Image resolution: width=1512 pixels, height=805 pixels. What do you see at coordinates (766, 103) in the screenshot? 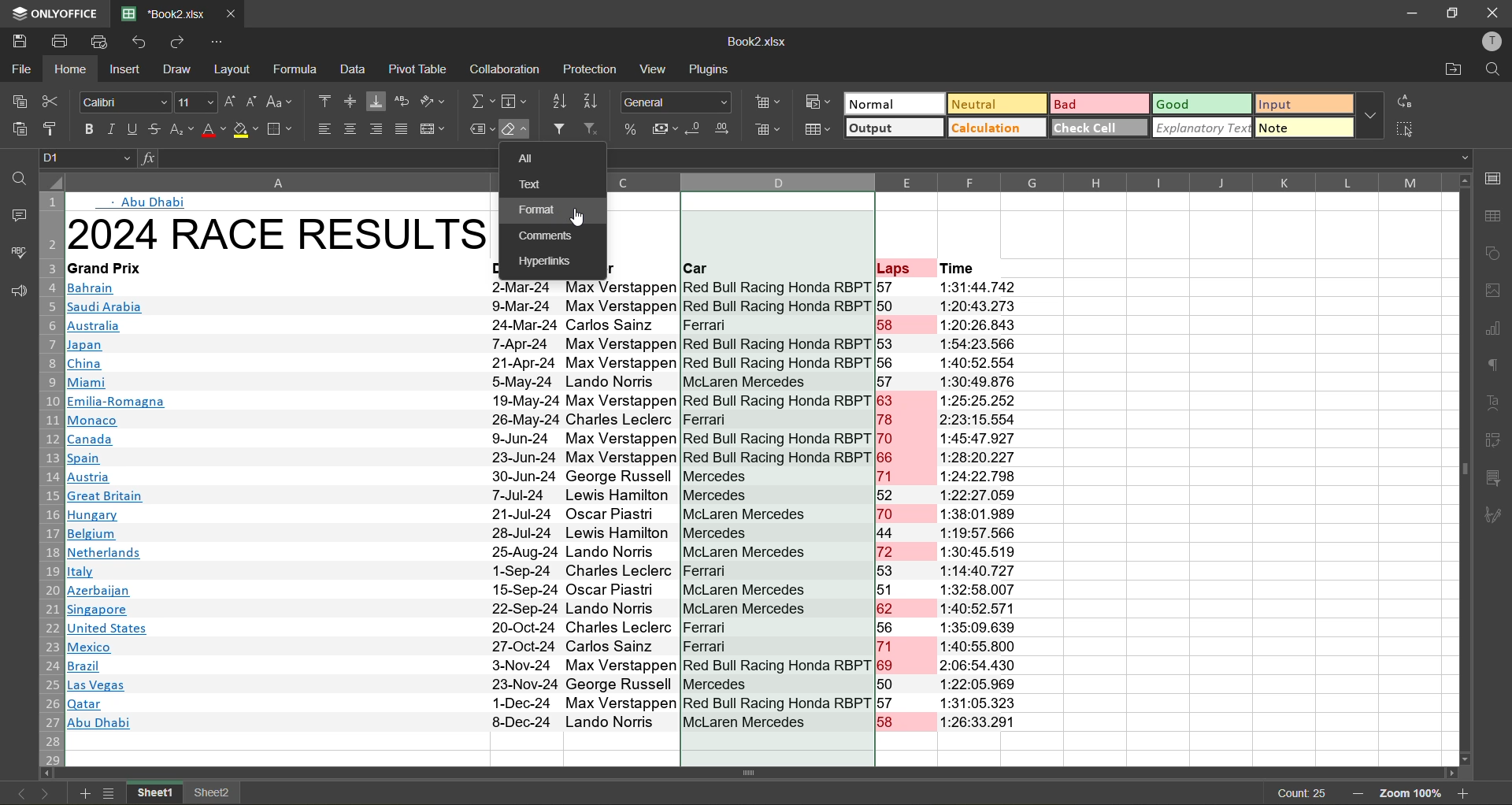
I see `insert cells` at bounding box center [766, 103].